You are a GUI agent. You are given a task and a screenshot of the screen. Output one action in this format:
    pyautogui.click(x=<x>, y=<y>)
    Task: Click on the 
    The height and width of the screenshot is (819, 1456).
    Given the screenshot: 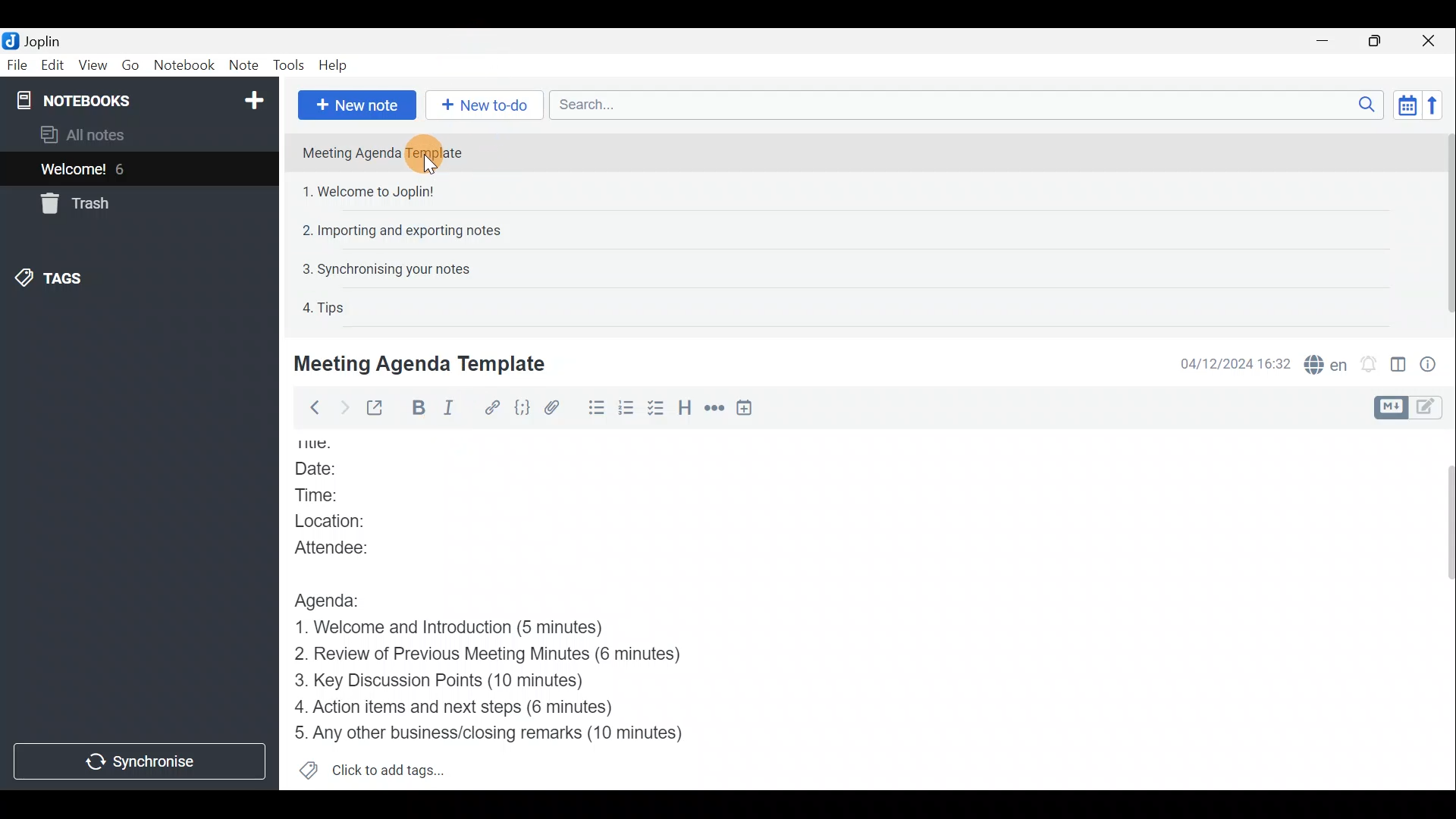 What is the action you would take?
    pyautogui.click(x=328, y=445)
    